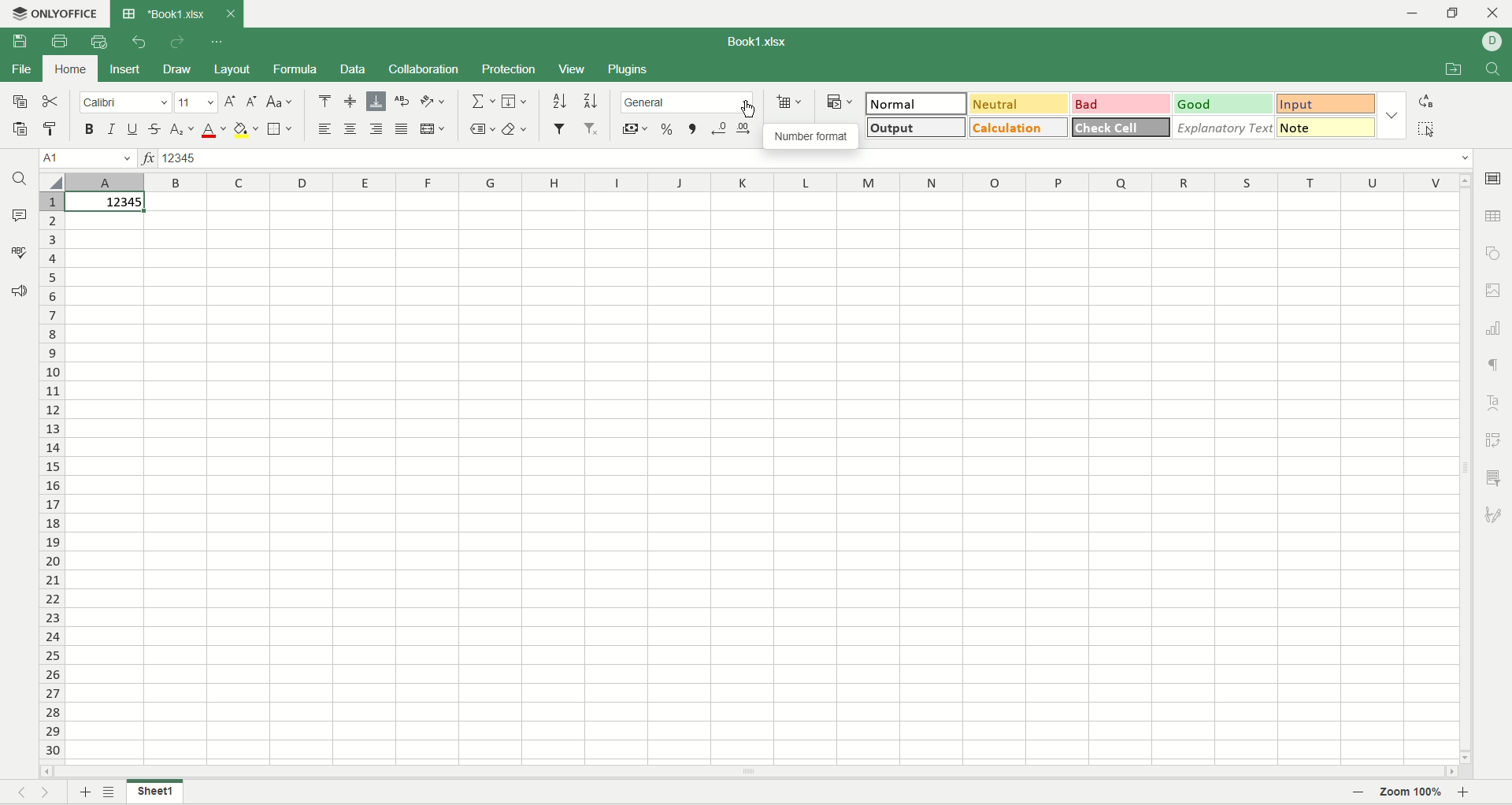  What do you see at coordinates (1325, 102) in the screenshot?
I see `input` at bounding box center [1325, 102].